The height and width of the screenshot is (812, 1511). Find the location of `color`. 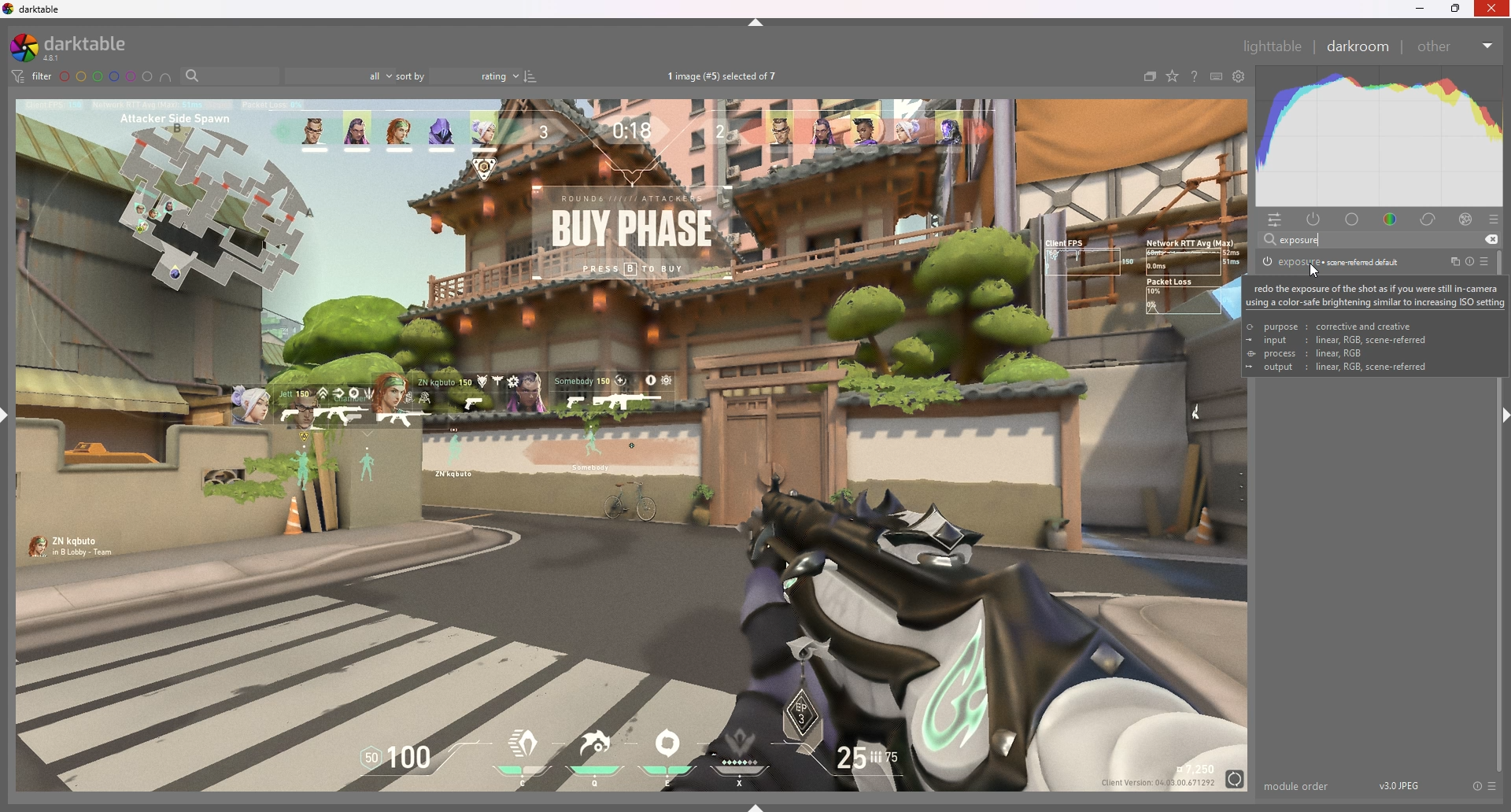

color is located at coordinates (1390, 220).